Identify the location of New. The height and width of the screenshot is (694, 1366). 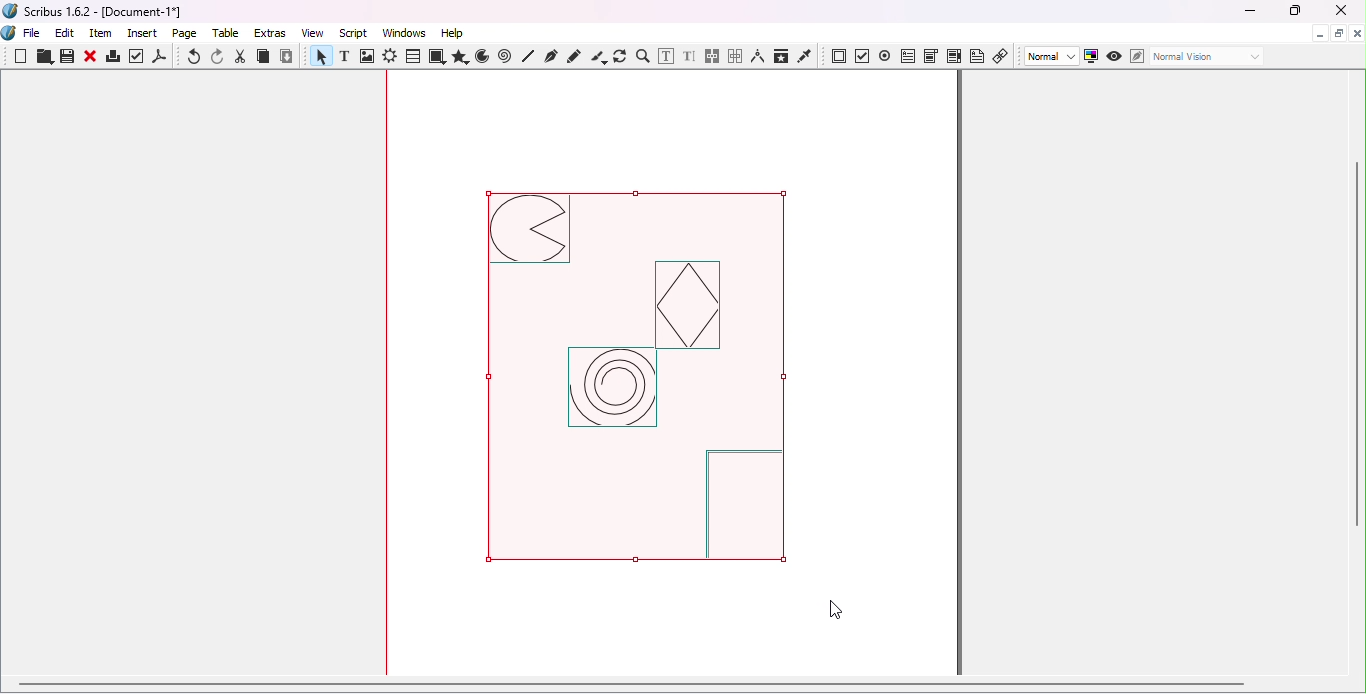
(21, 56).